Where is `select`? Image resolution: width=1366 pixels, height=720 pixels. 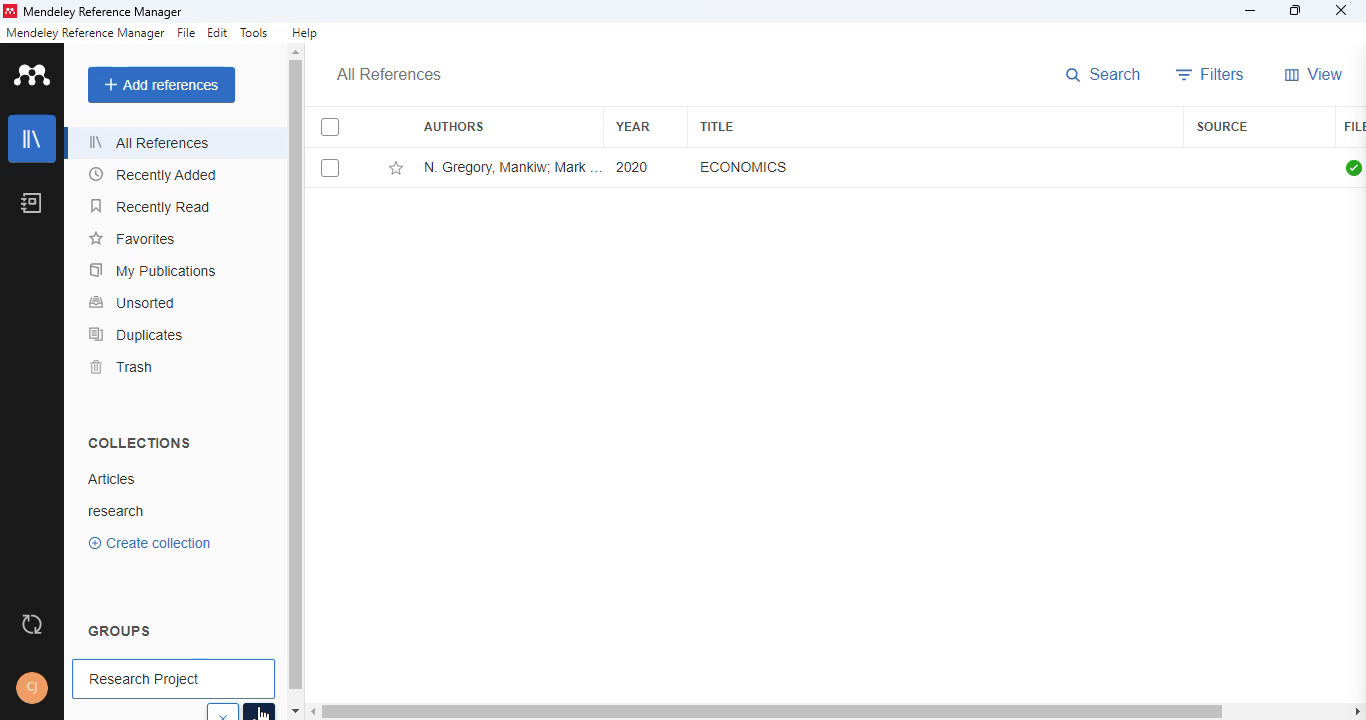 select is located at coordinates (331, 127).